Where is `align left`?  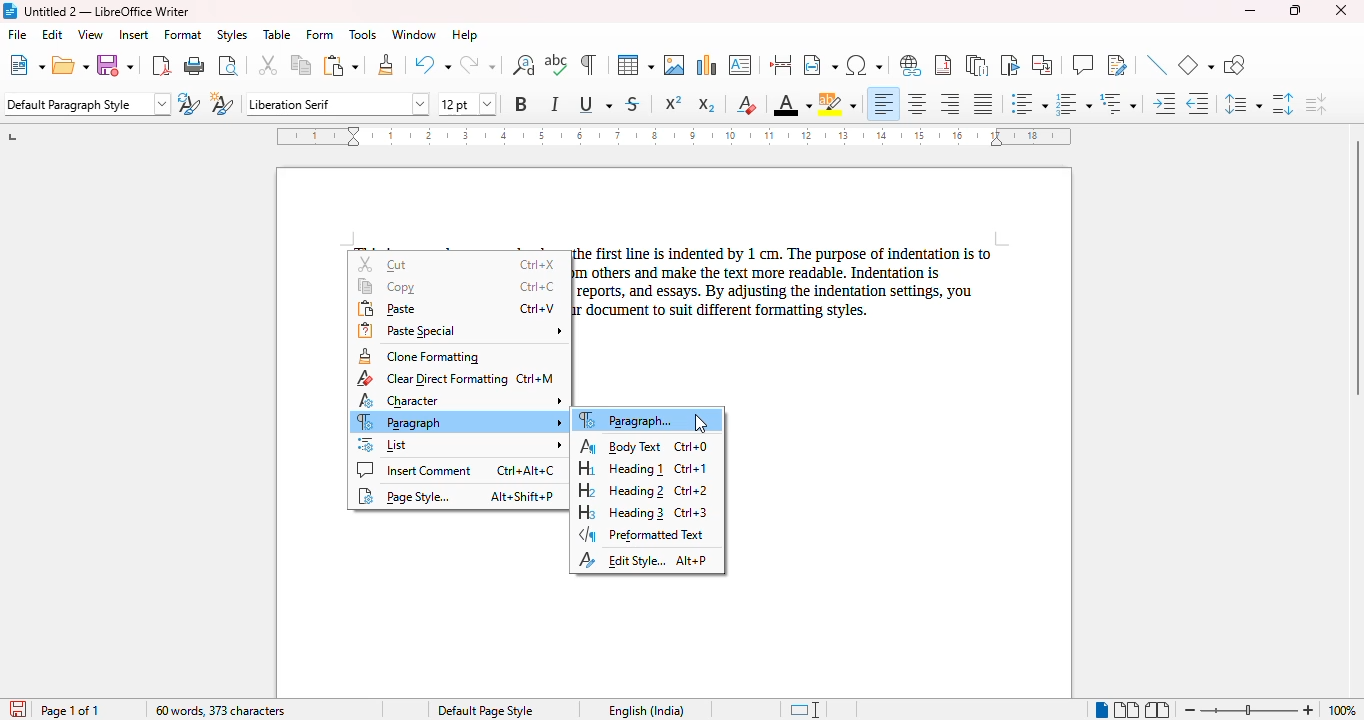 align left is located at coordinates (882, 103).